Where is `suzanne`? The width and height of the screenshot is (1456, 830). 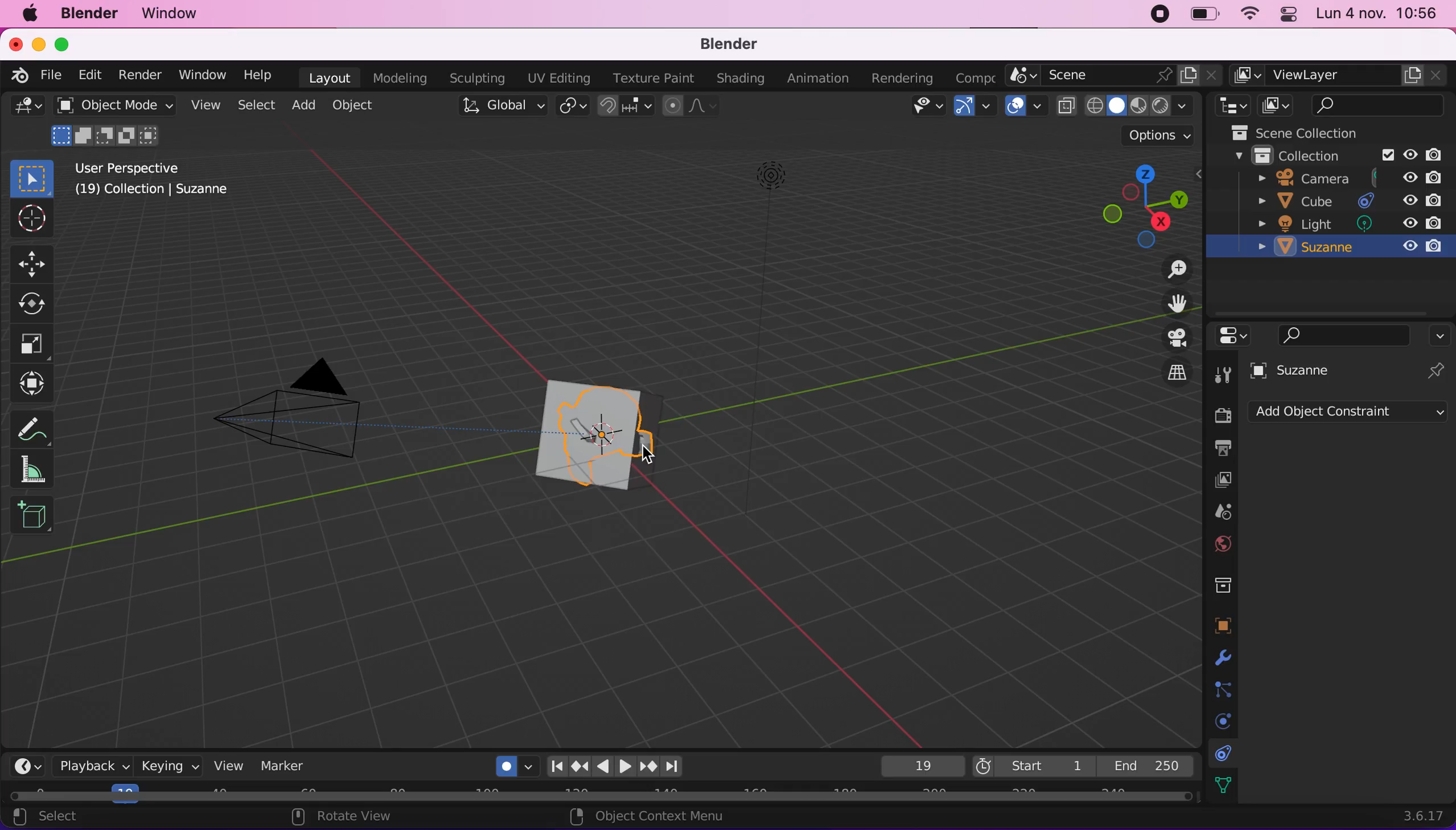
suzanne is located at coordinates (586, 436).